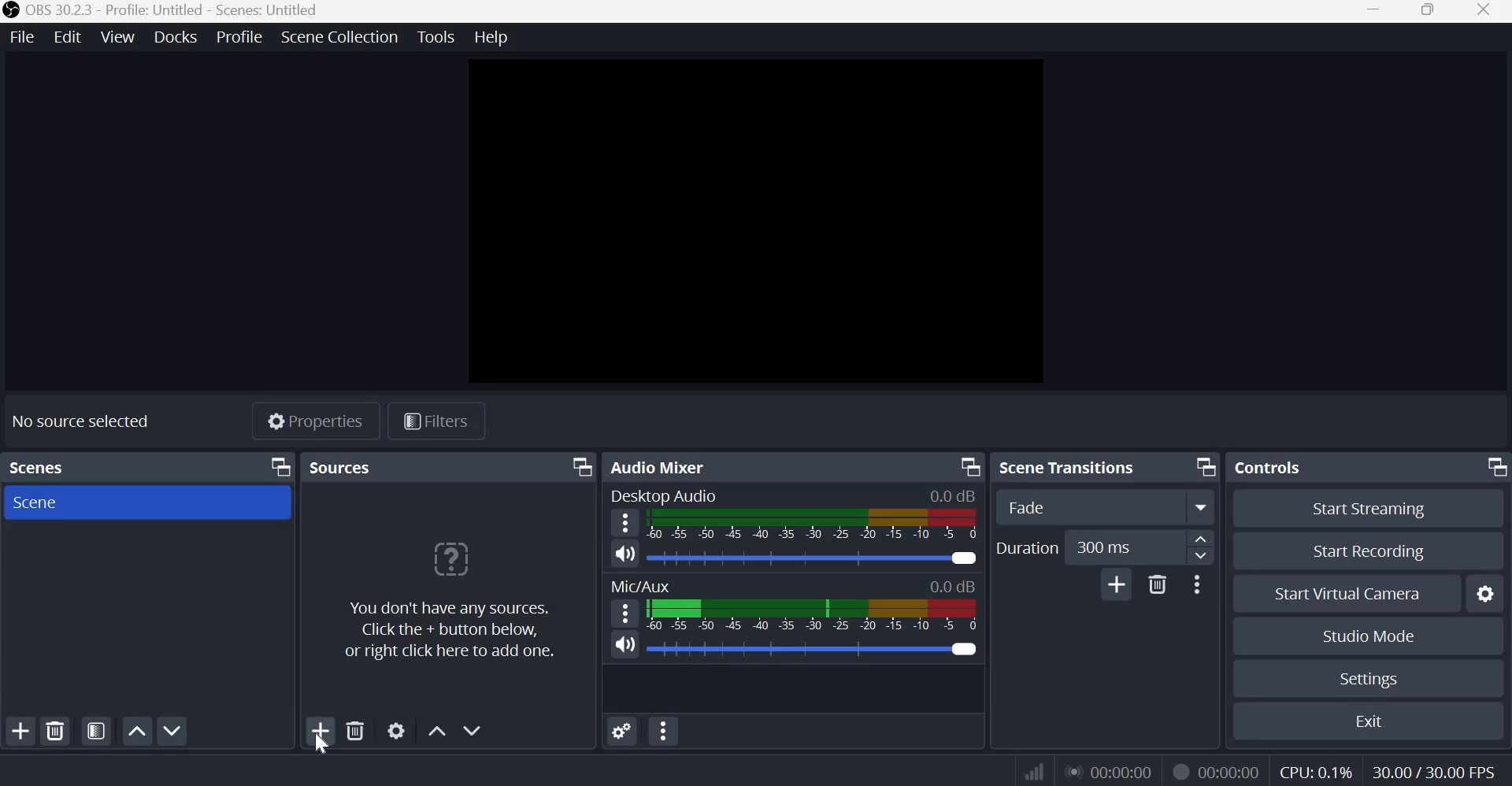  What do you see at coordinates (1202, 559) in the screenshot?
I see `Decrease` at bounding box center [1202, 559].